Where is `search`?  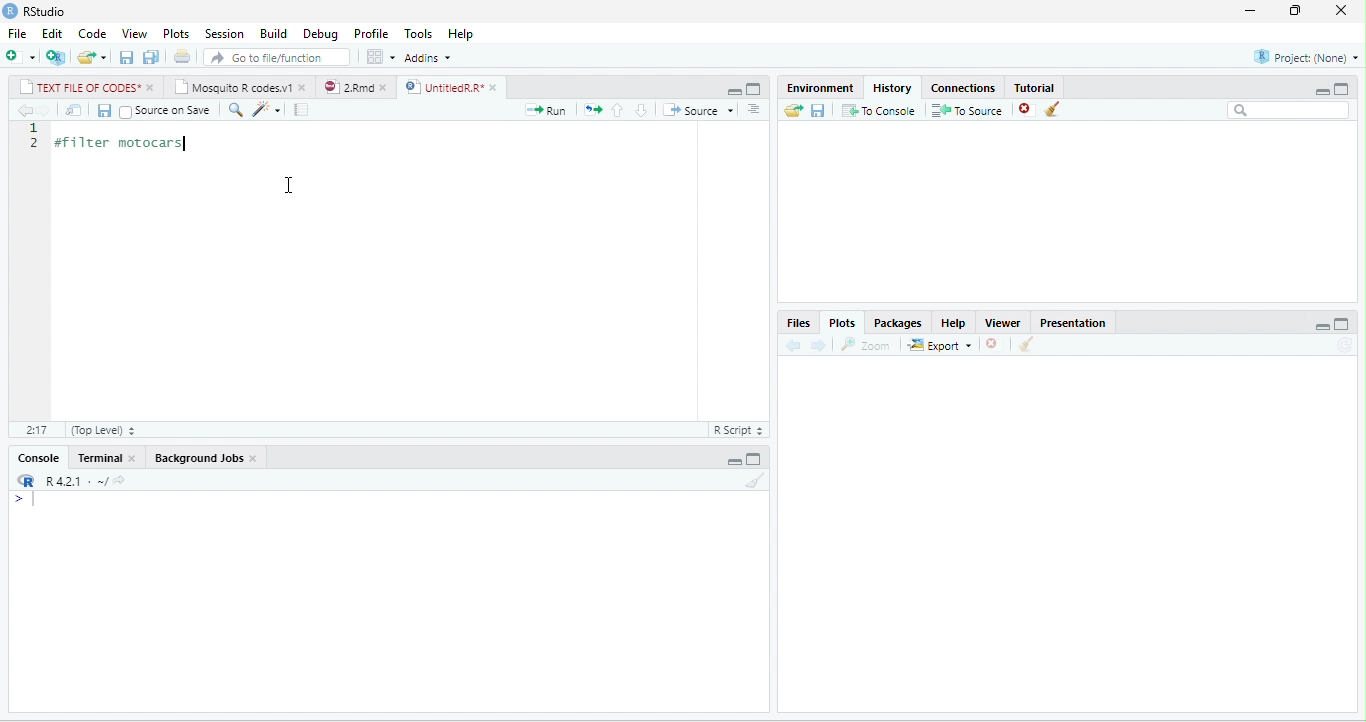 search is located at coordinates (235, 110).